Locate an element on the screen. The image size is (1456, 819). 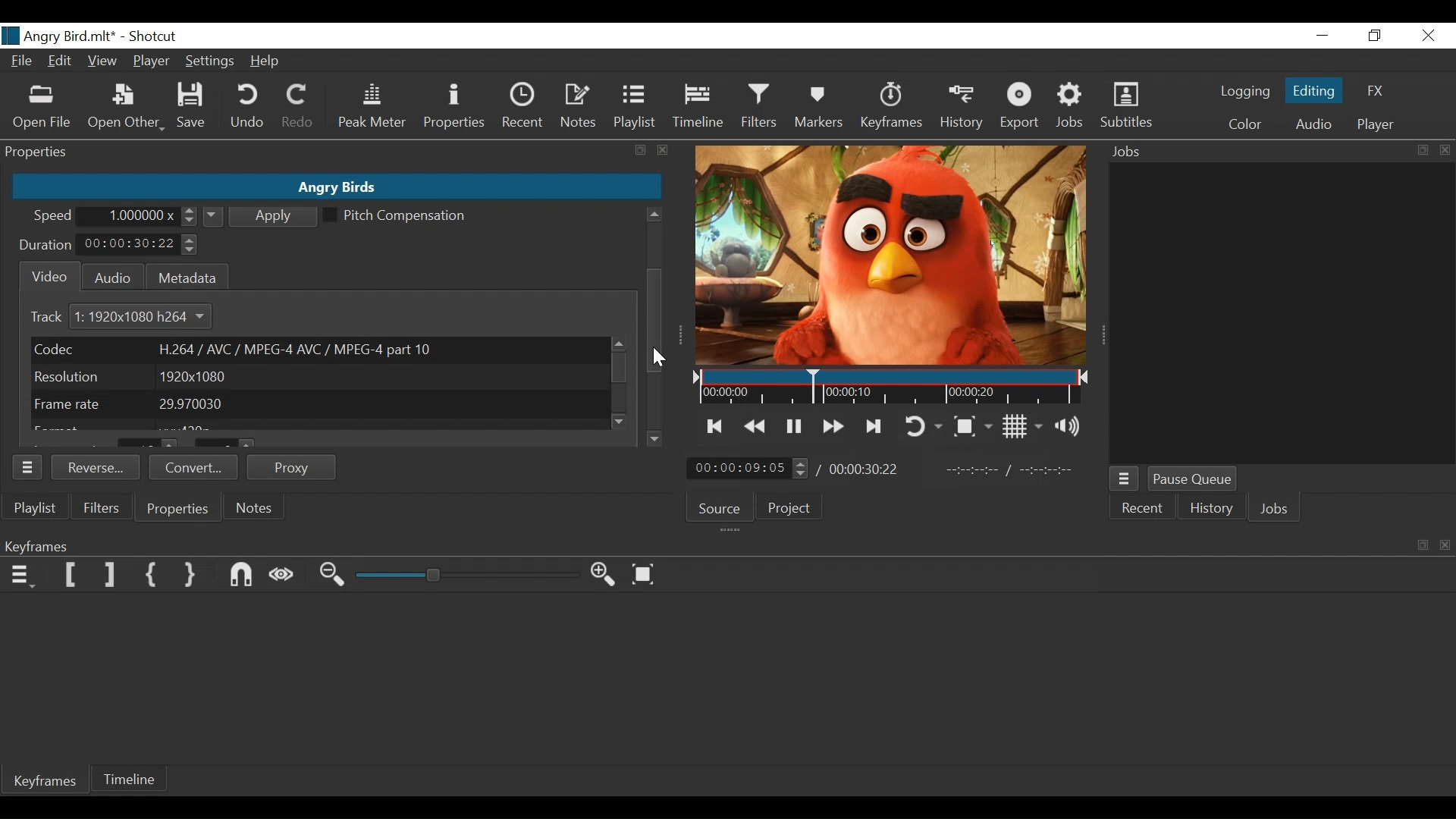
Zoom keyframe to fit is located at coordinates (645, 574).